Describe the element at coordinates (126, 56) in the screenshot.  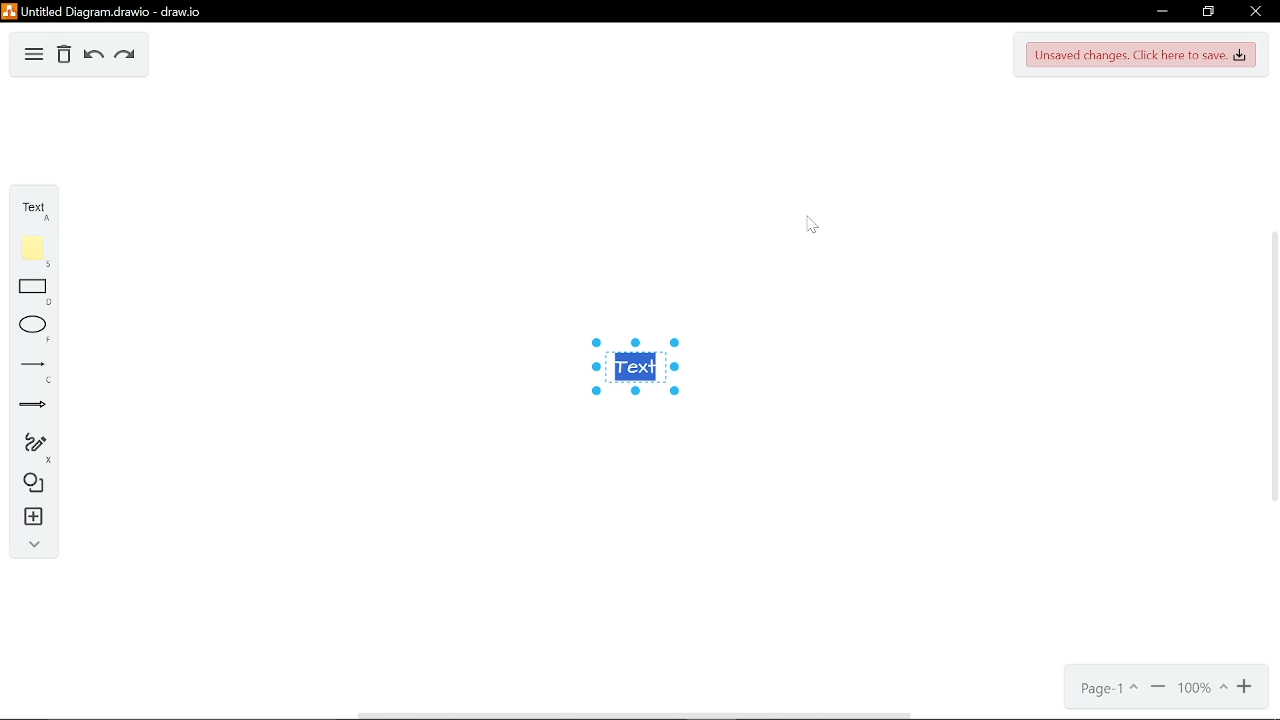
I see `Redo` at that location.